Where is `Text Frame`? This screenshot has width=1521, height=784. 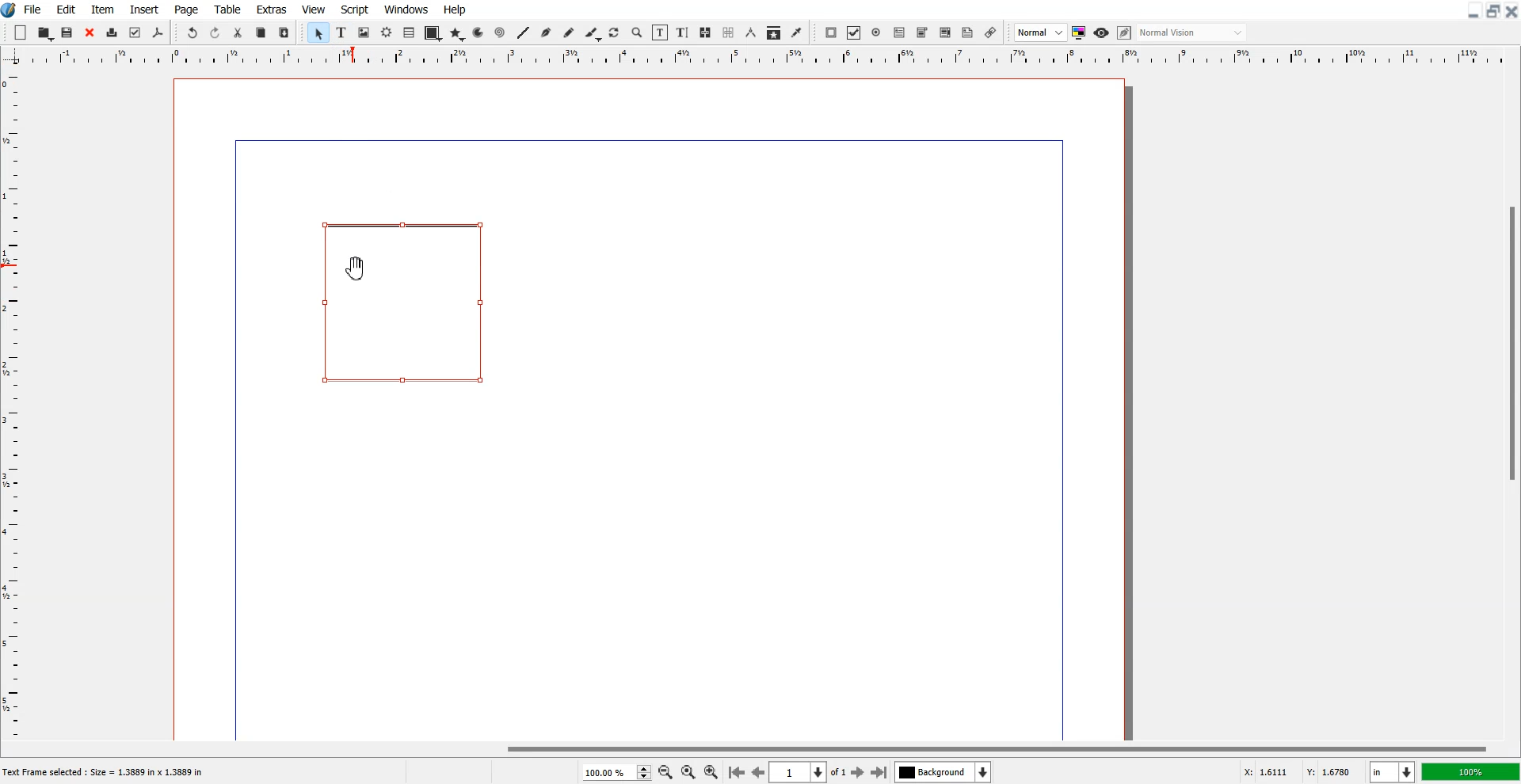
Text Frame is located at coordinates (407, 302).